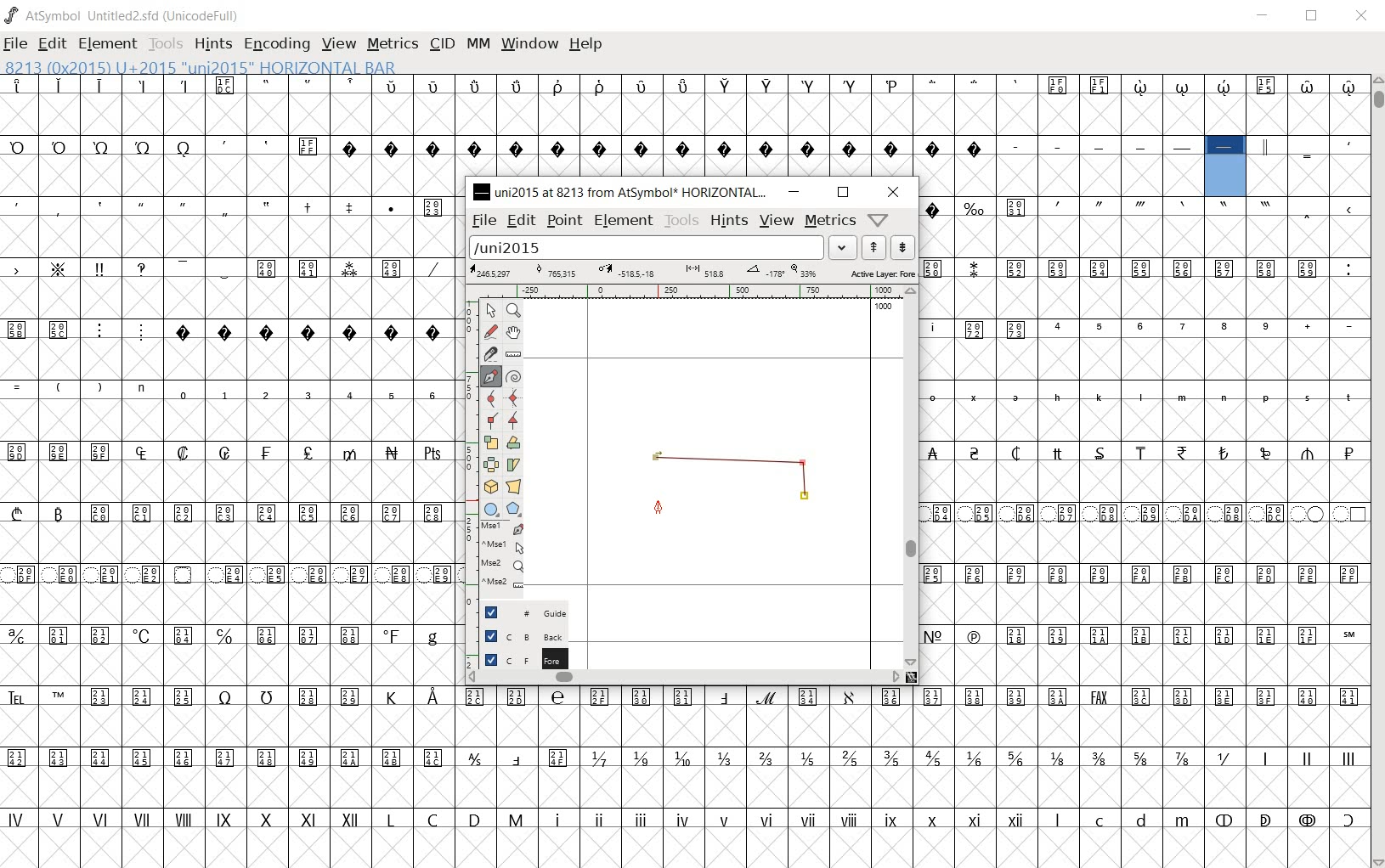 Image resolution: width=1385 pixels, height=868 pixels. Describe the element at coordinates (395, 45) in the screenshot. I see `METRICS` at that location.